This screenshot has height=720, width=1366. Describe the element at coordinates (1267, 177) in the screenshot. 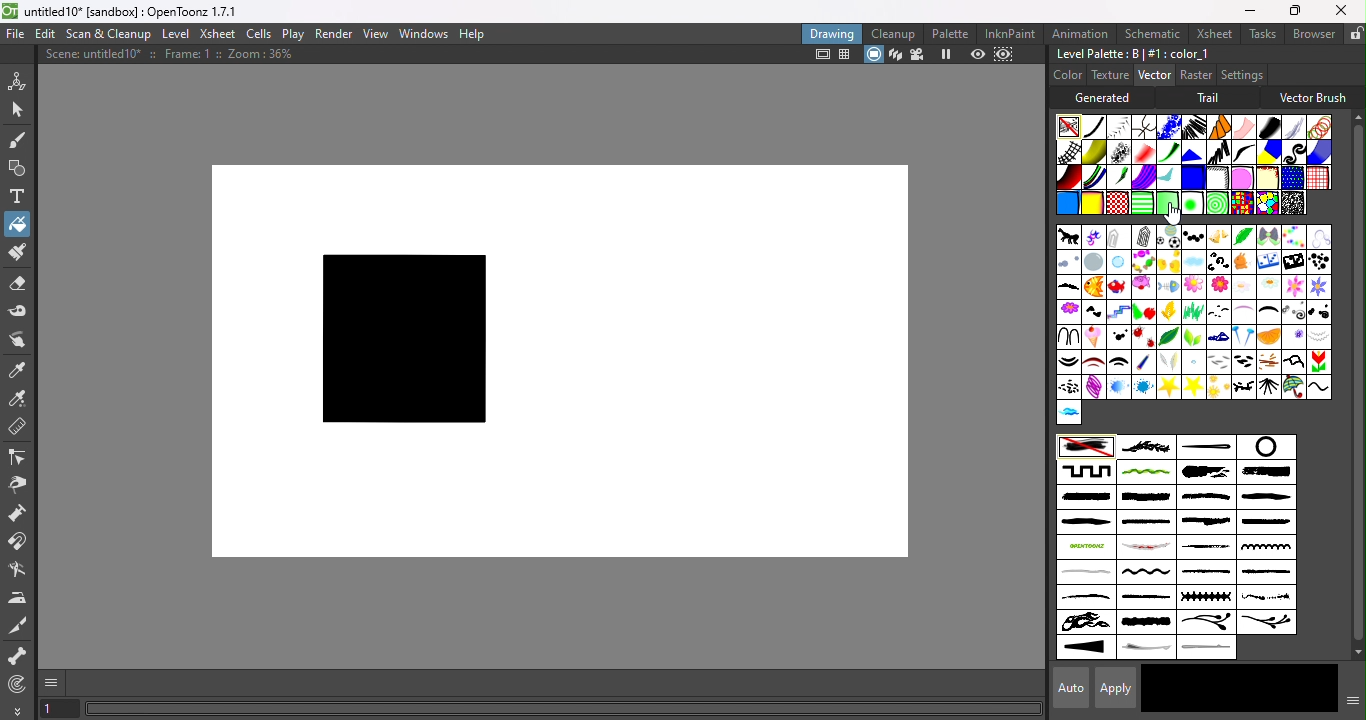

I see `Sponge shading` at that location.